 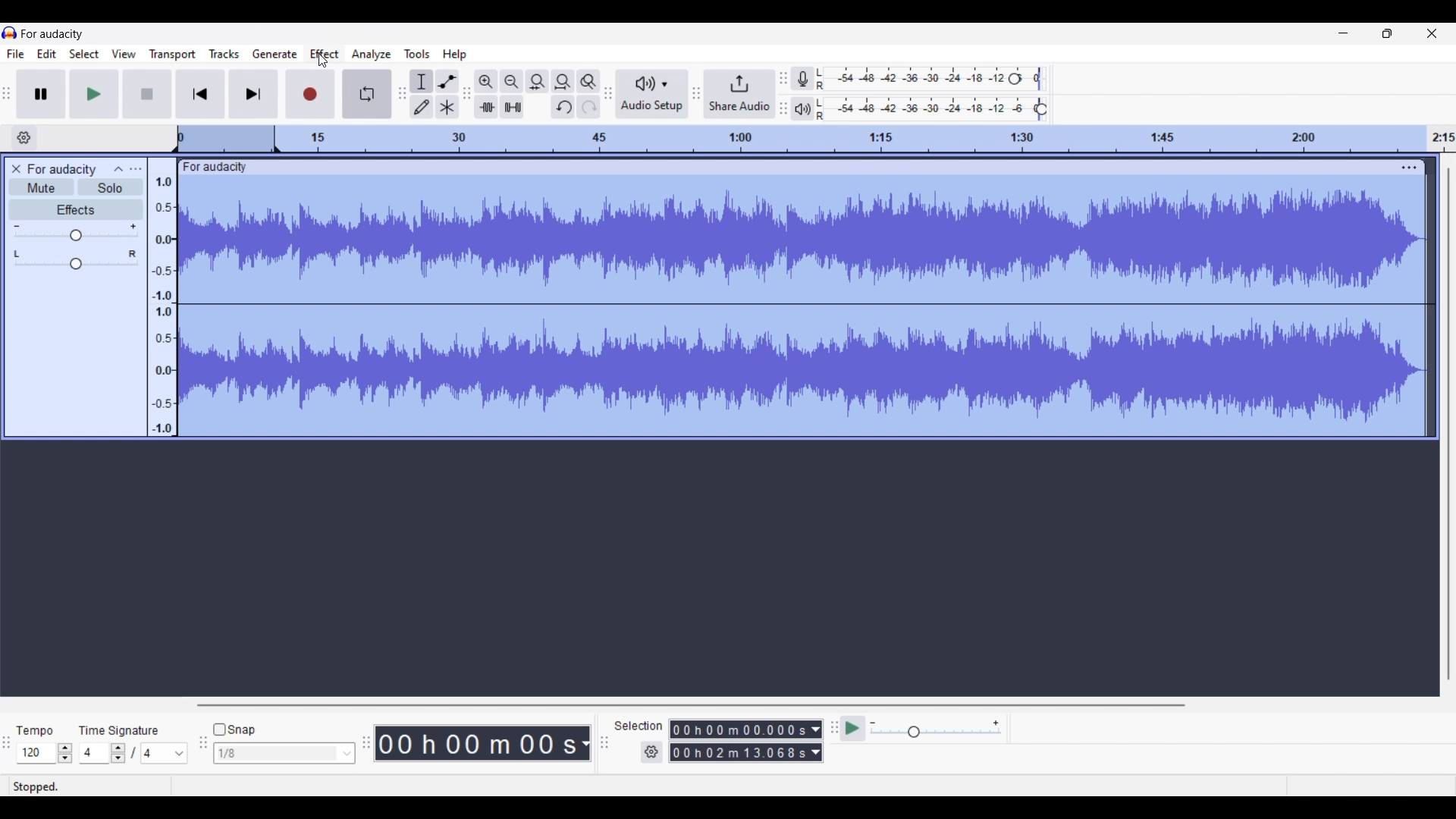 What do you see at coordinates (36, 753) in the screenshot?
I see `Type in tempo` at bounding box center [36, 753].